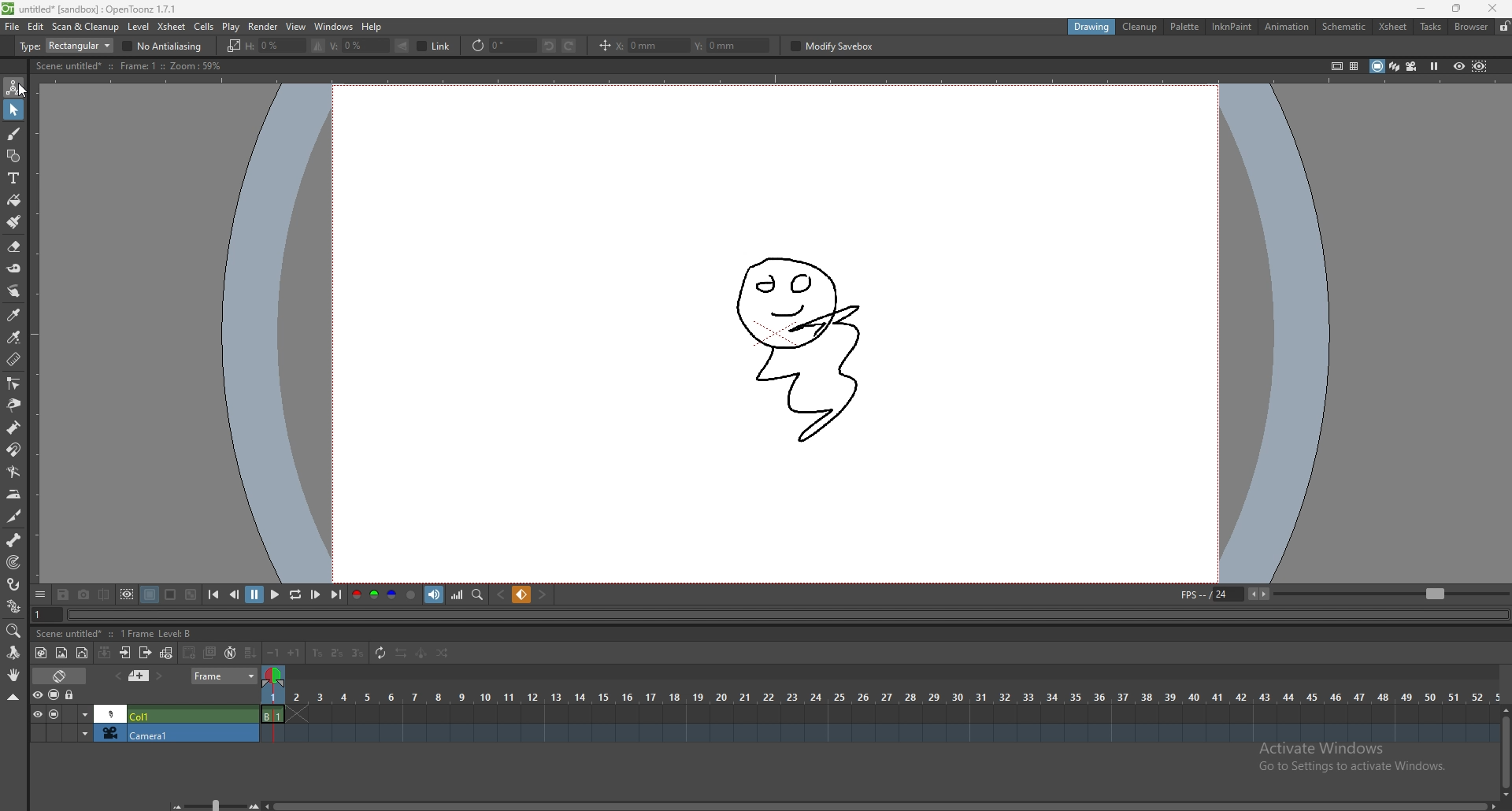 This screenshot has height=811, width=1512. What do you see at coordinates (143, 733) in the screenshot?
I see `camera 1` at bounding box center [143, 733].